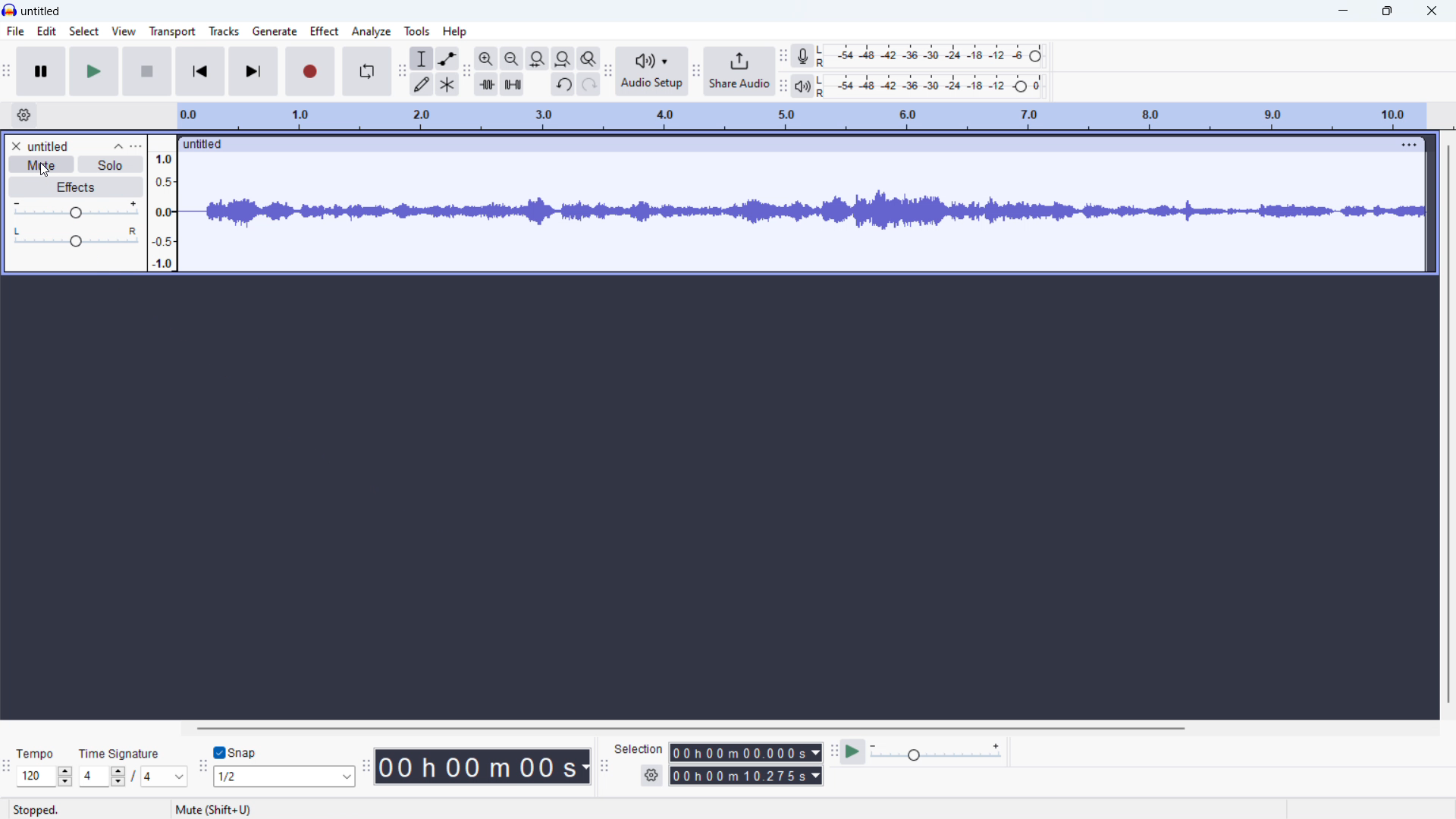 The width and height of the screenshot is (1456, 819). Describe the element at coordinates (94, 71) in the screenshot. I see `play` at that location.